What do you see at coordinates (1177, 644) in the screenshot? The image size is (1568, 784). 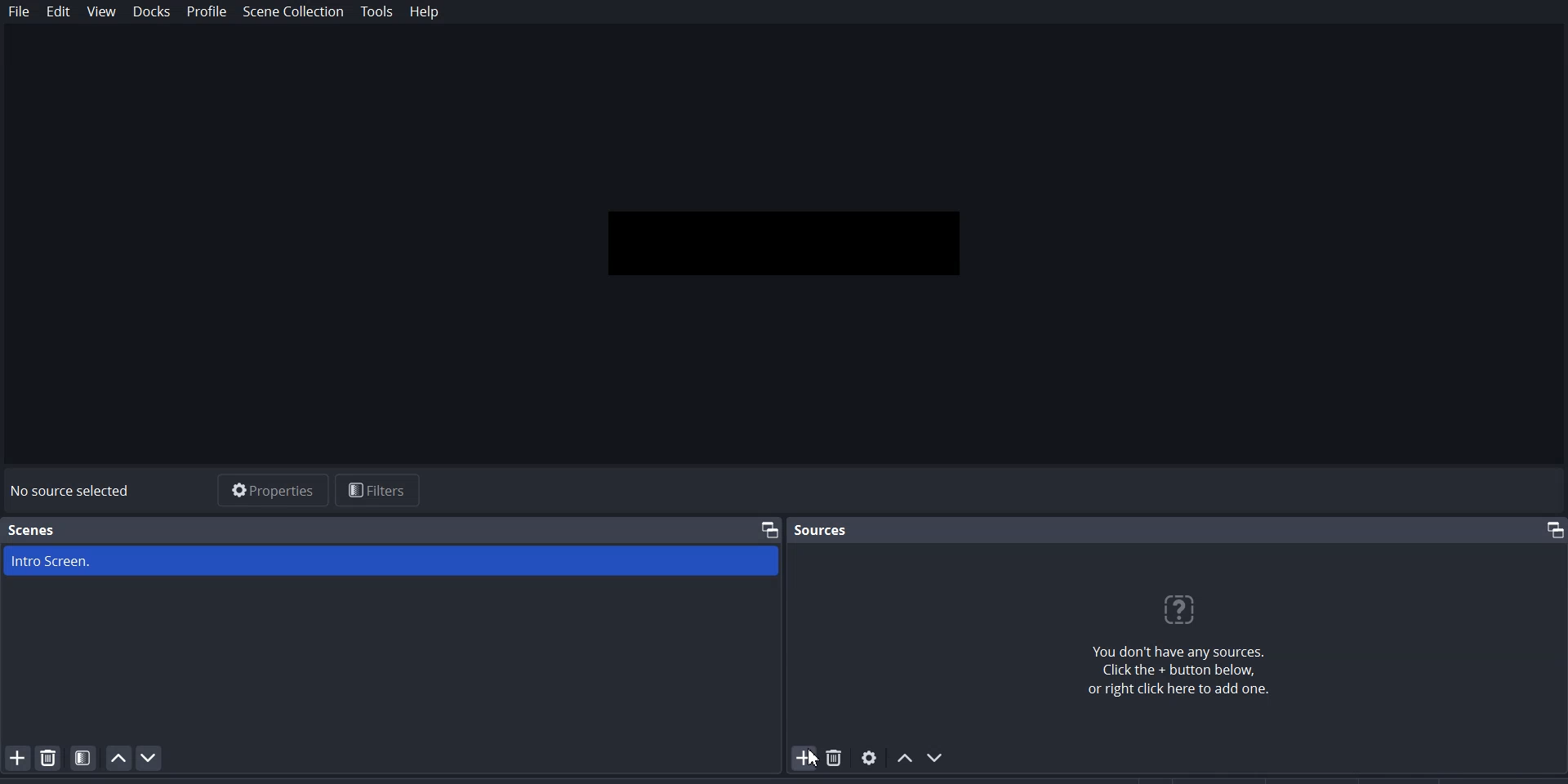 I see `You don't have any sources. Click the + button below, or right click here to add one.` at bounding box center [1177, 644].